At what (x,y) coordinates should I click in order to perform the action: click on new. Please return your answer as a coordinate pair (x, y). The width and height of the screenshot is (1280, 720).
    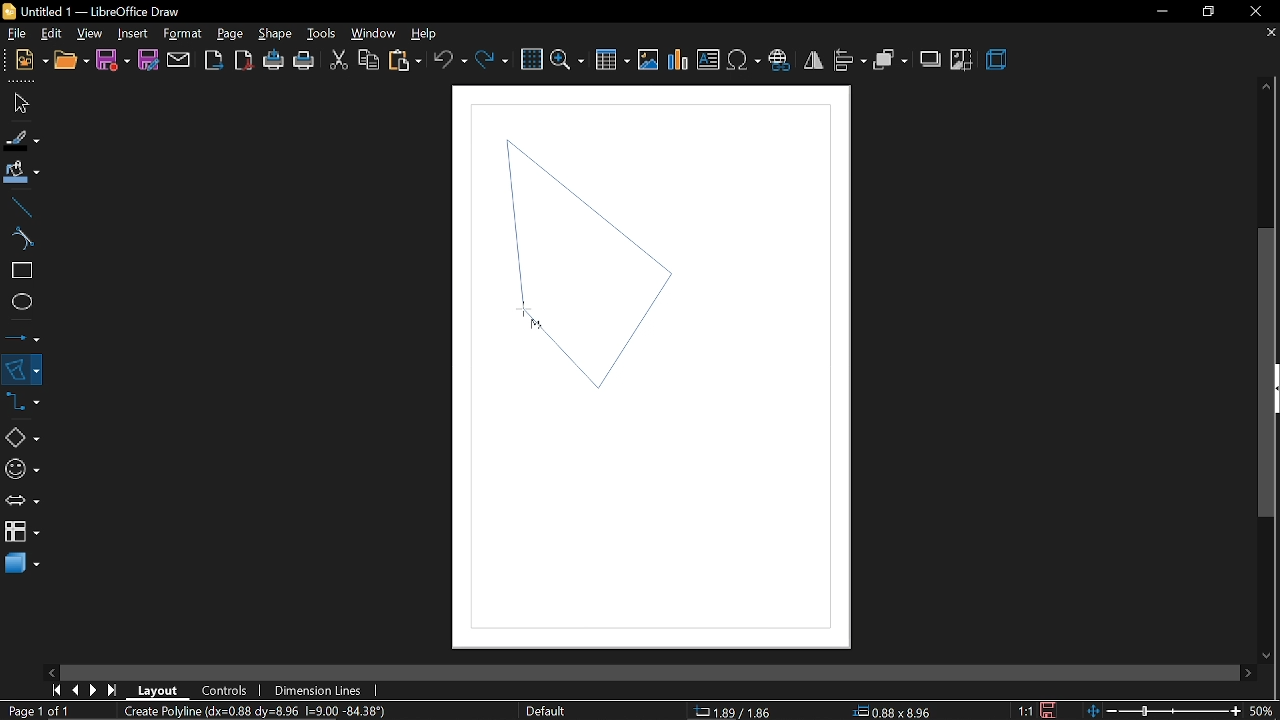
    Looking at the image, I should click on (32, 60).